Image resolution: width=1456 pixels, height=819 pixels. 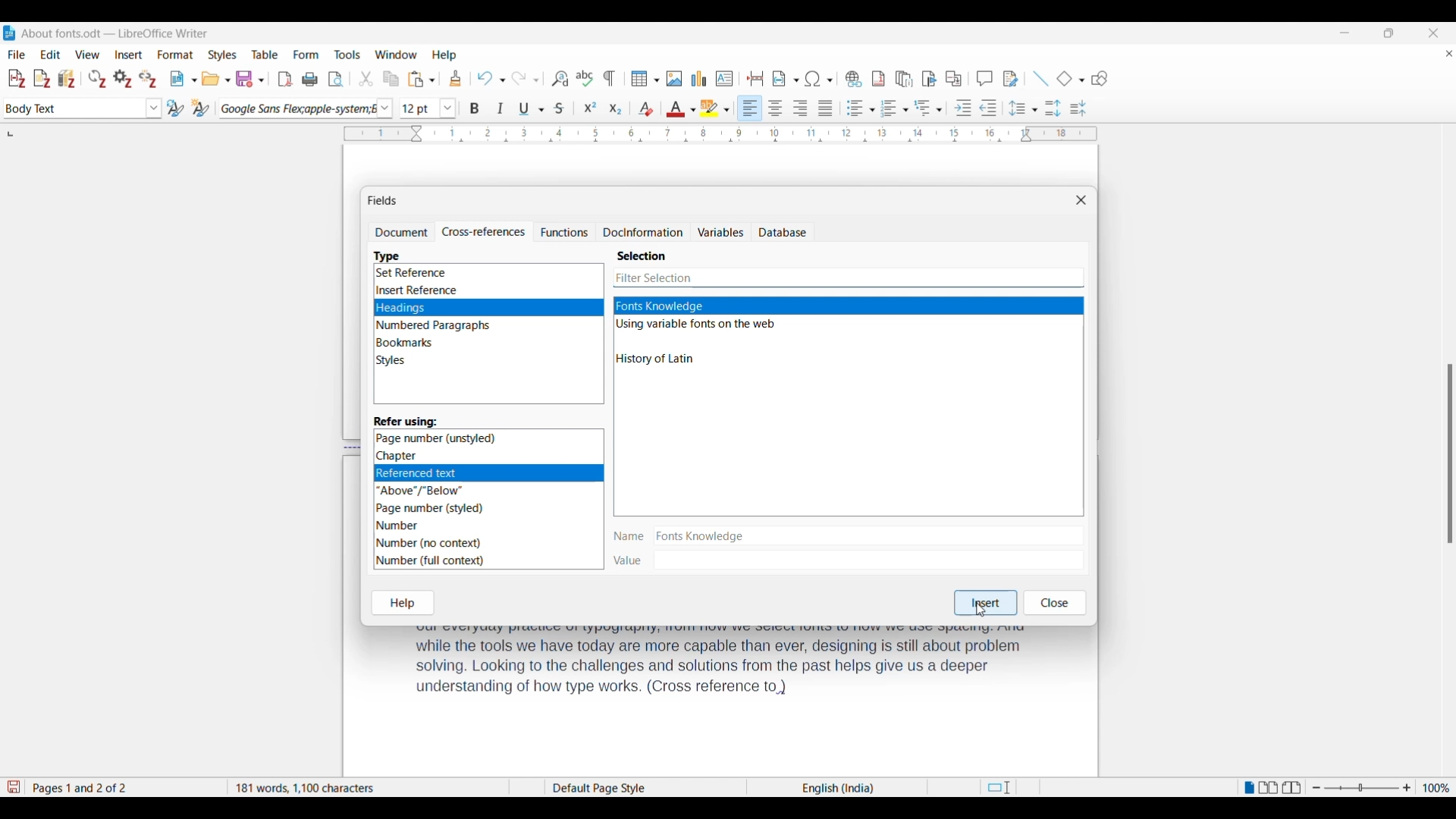 I want to click on Paste options, so click(x=422, y=79).